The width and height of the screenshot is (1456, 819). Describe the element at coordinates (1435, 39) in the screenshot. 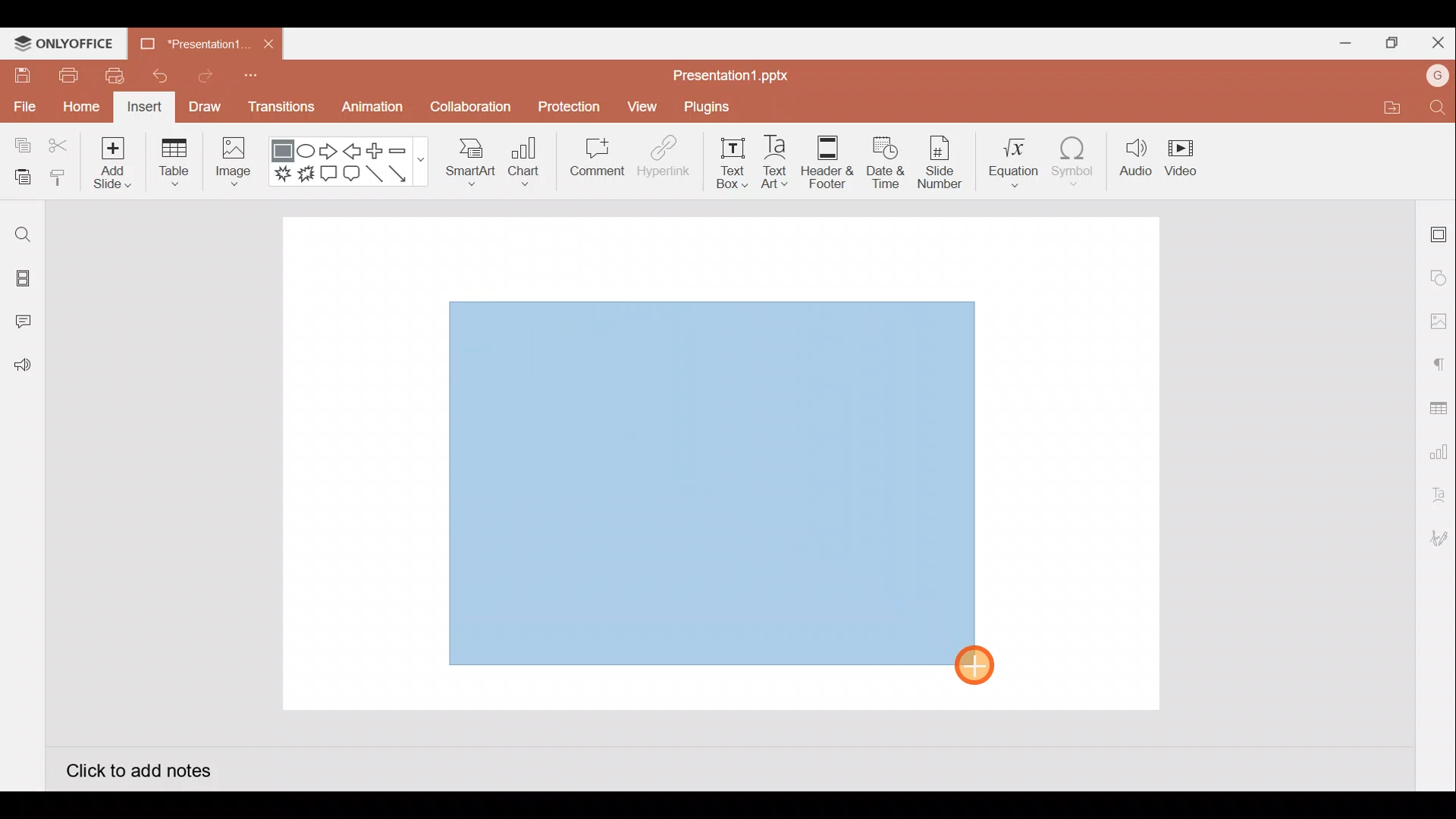

I see `Close` at that location.